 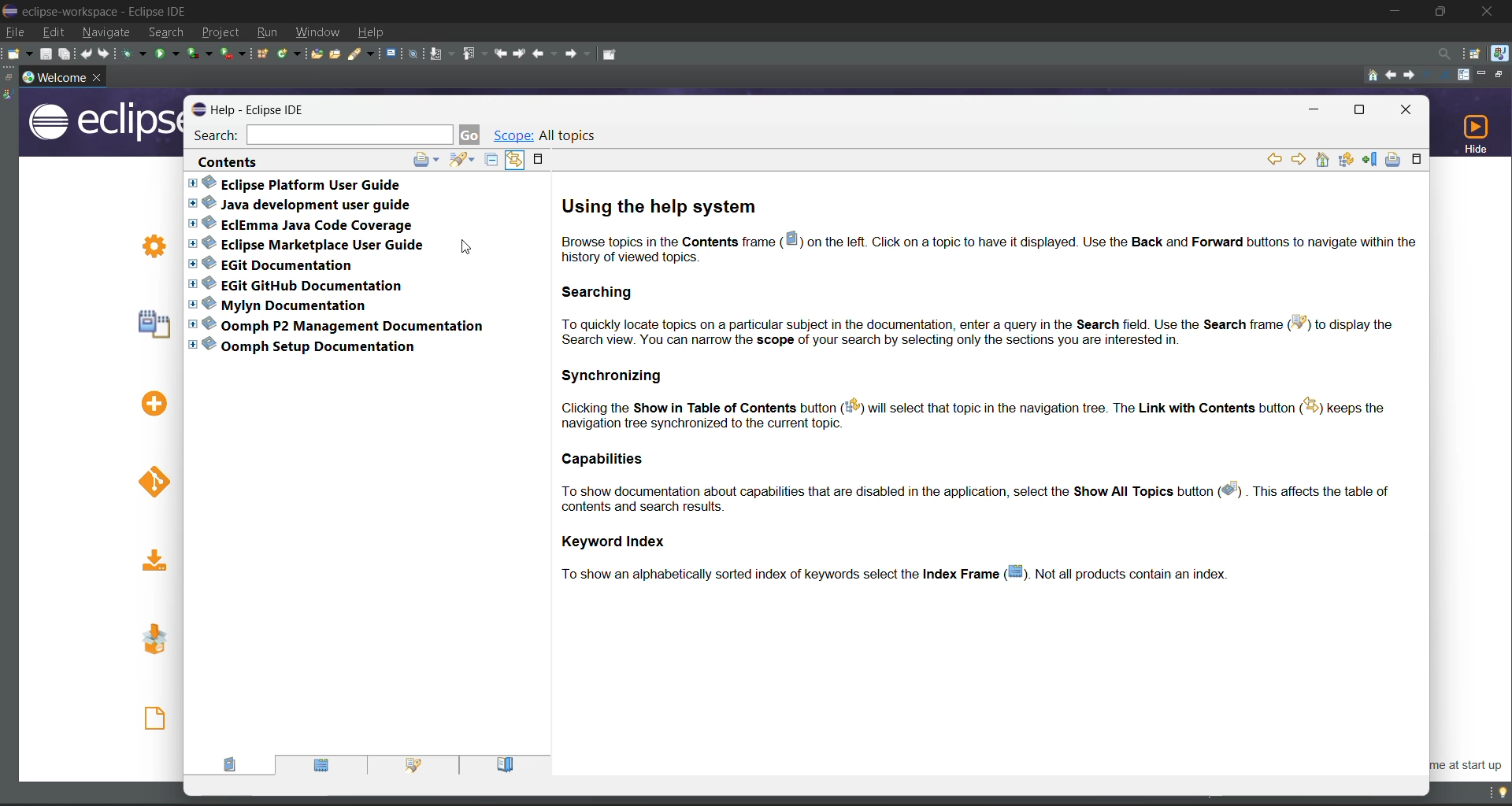 I want to click on next edit location, so click(x=524, y=55).